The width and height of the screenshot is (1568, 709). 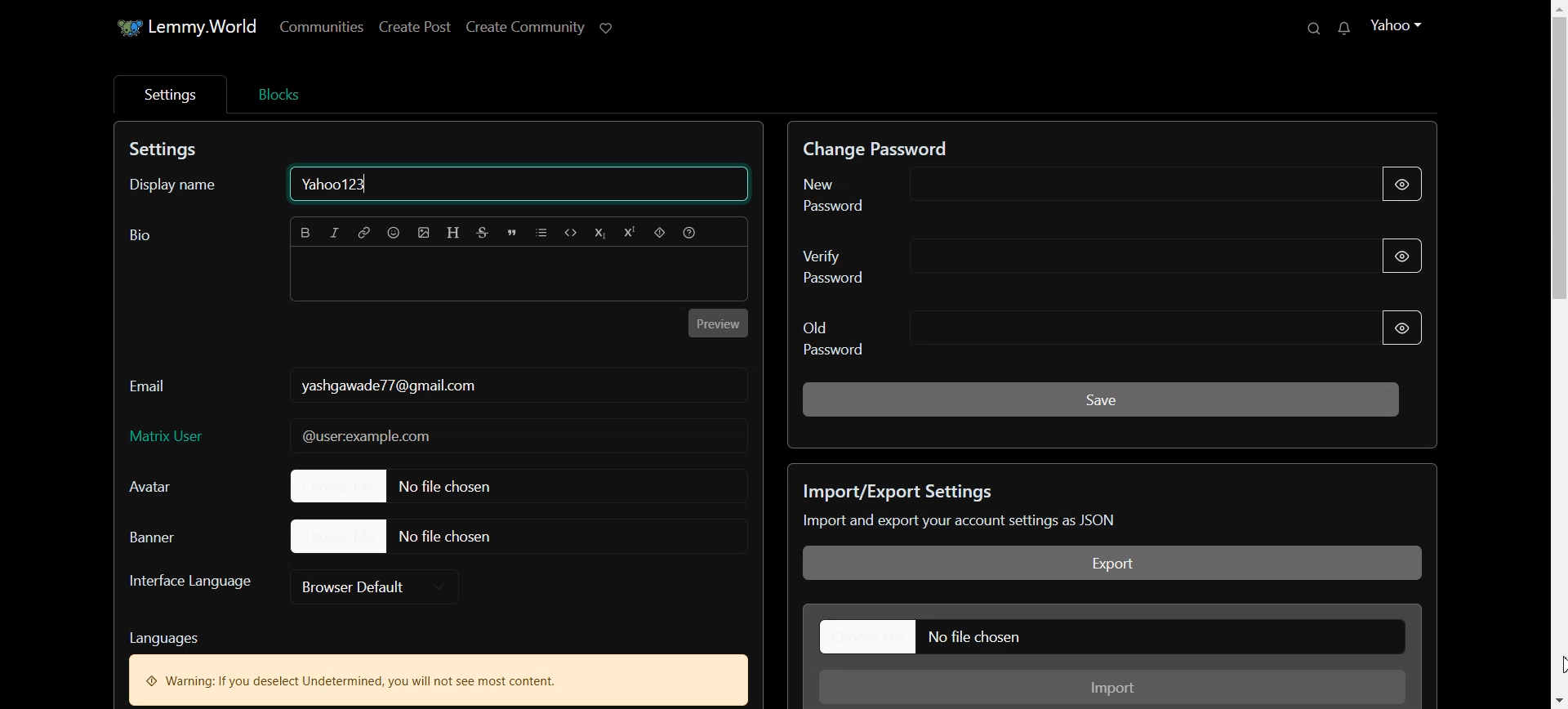 What do you see at coordinates (1049, 190) in the screenshot?
I see `New Password` at bounding box center [1049, 190].